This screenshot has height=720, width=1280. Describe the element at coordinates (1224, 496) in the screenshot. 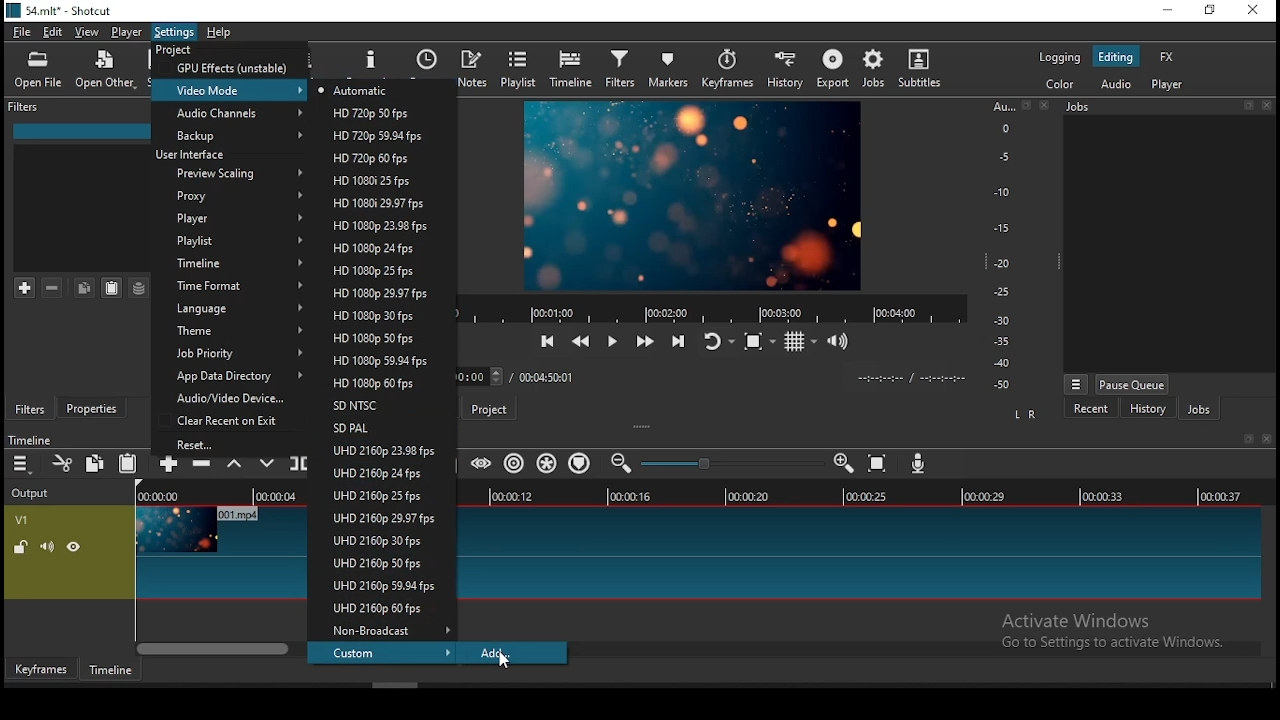

I see `00:00:37` at that location.